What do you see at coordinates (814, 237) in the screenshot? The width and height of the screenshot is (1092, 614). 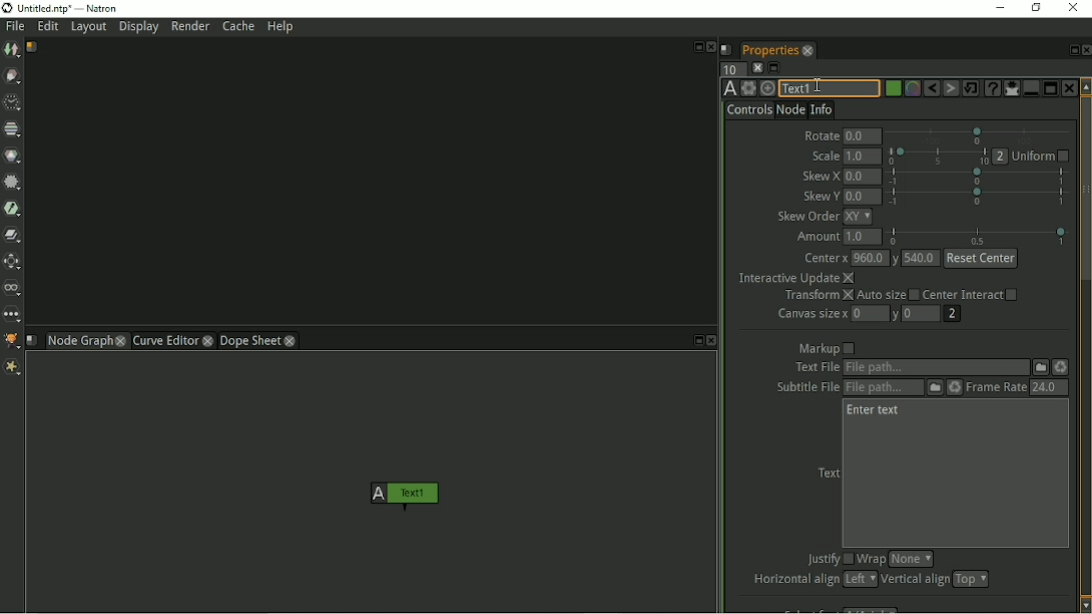 I see `Amount` at bounding box center [814, 237].